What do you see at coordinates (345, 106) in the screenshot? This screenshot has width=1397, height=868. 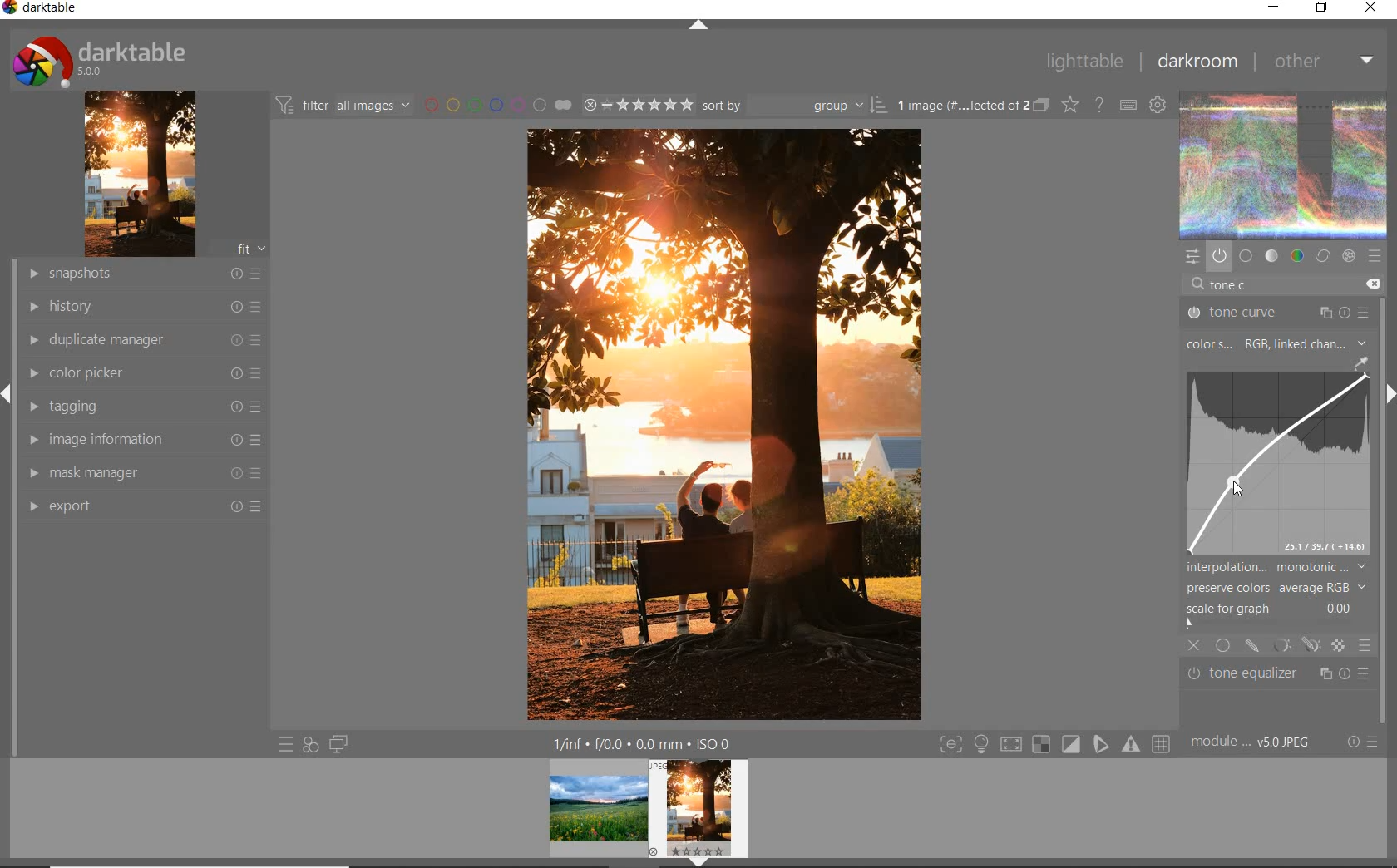 I see `filter all images` at bounding box center [345, 106].